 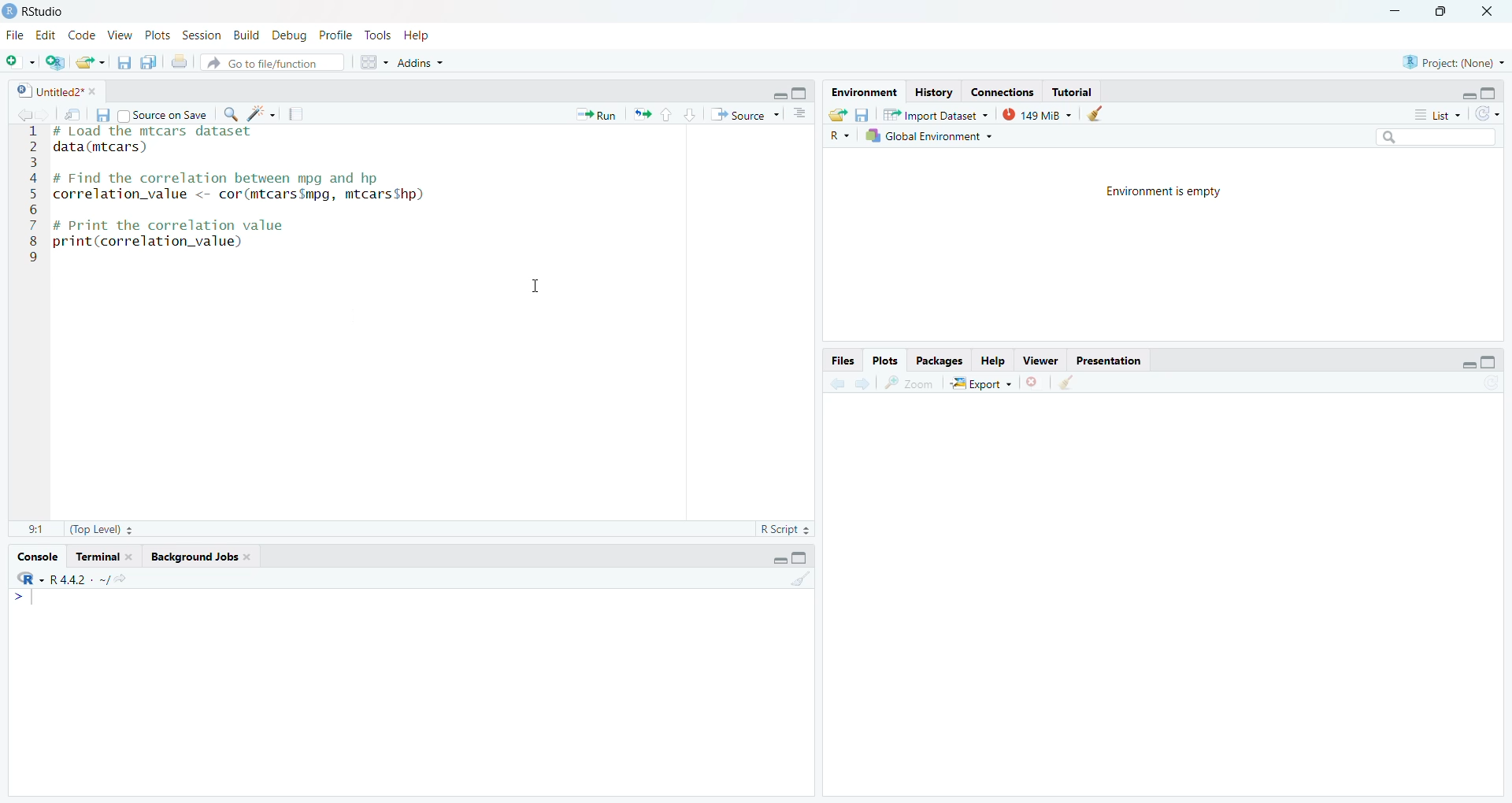 I want to click on R.4.4.2~/, so click(x=75, y=579).